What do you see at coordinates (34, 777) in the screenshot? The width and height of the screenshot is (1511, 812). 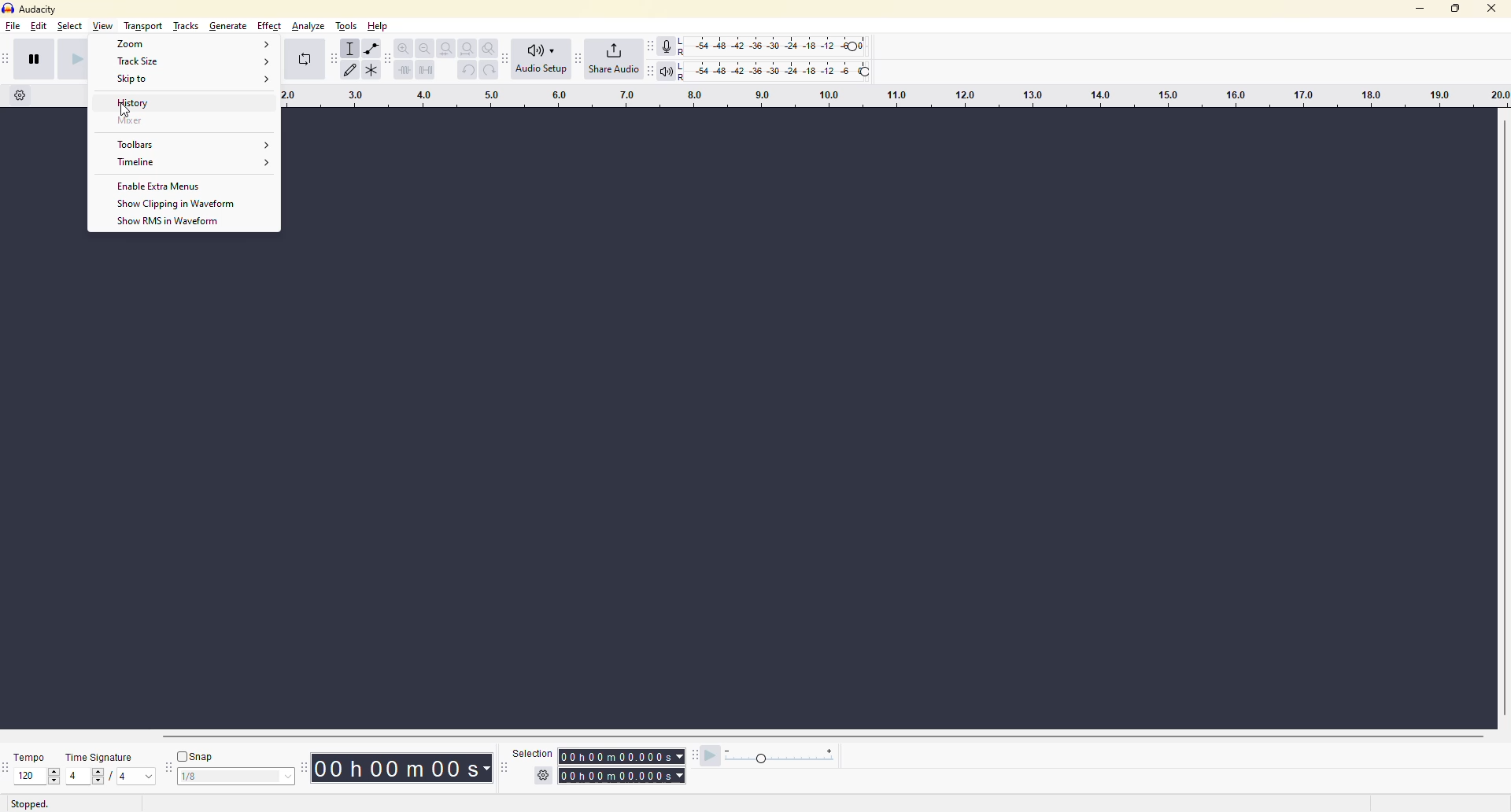 I see `value` at bounding box center [34, 777].